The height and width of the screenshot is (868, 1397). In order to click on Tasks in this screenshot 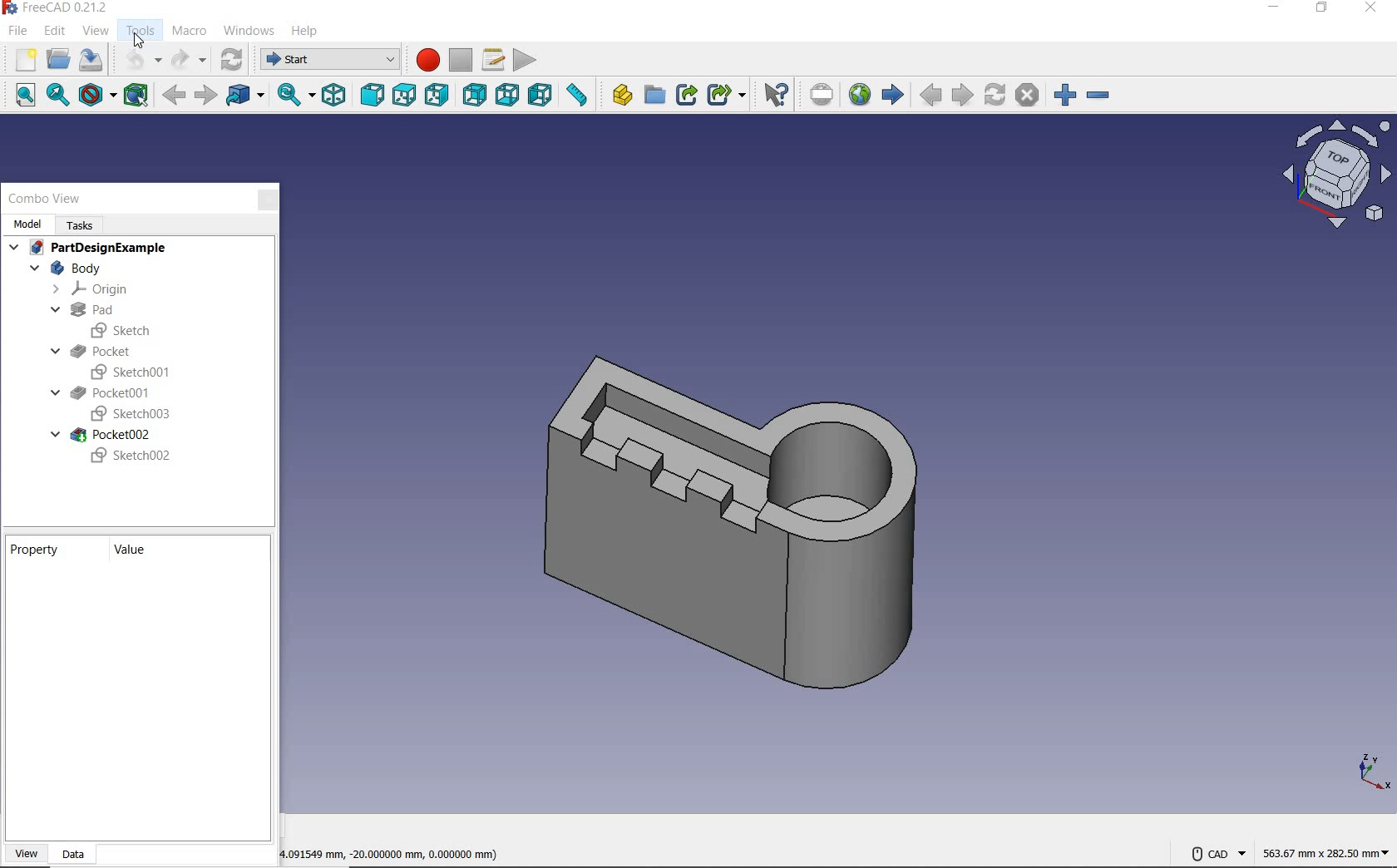, I will do `click(86, 224)`.